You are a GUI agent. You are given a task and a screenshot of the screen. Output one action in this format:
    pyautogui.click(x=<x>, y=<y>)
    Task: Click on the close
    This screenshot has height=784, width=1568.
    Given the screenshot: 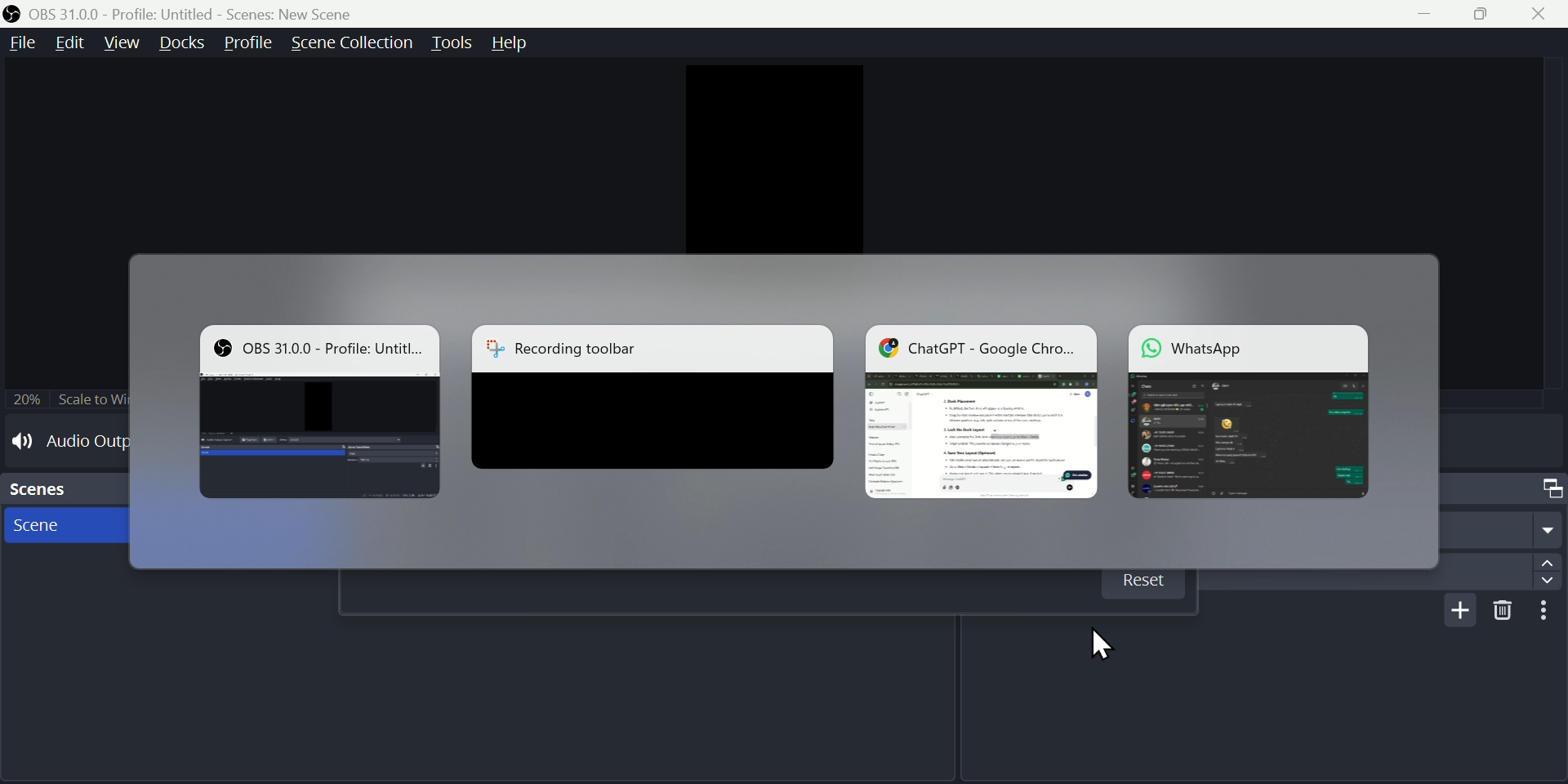 What is the action you would take?
    pyautogui.click(x=1537, y=16)
    